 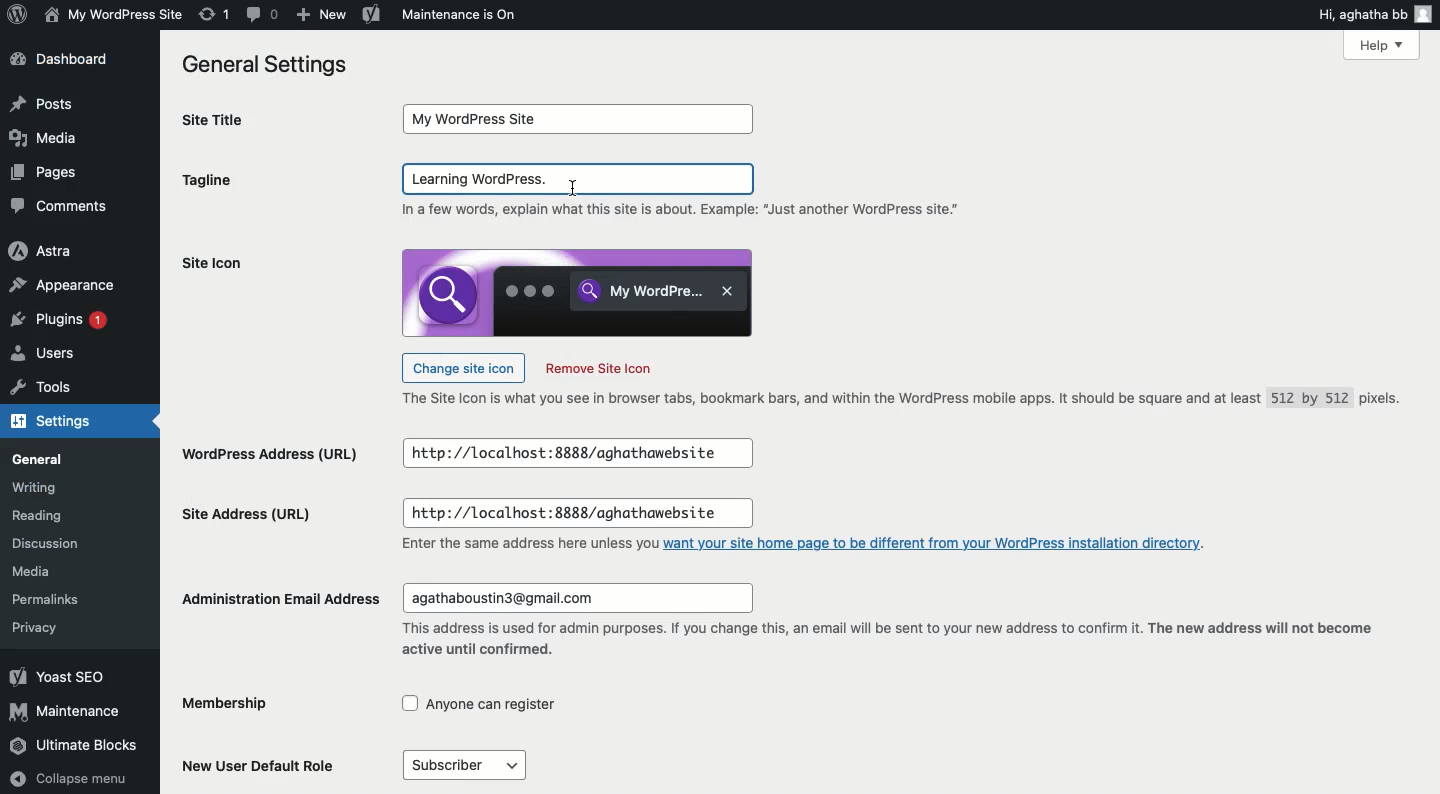 What do you see at coordinates (66, 287) in the screenshot?
I see `Appearance` at bounding box center [66, 287].